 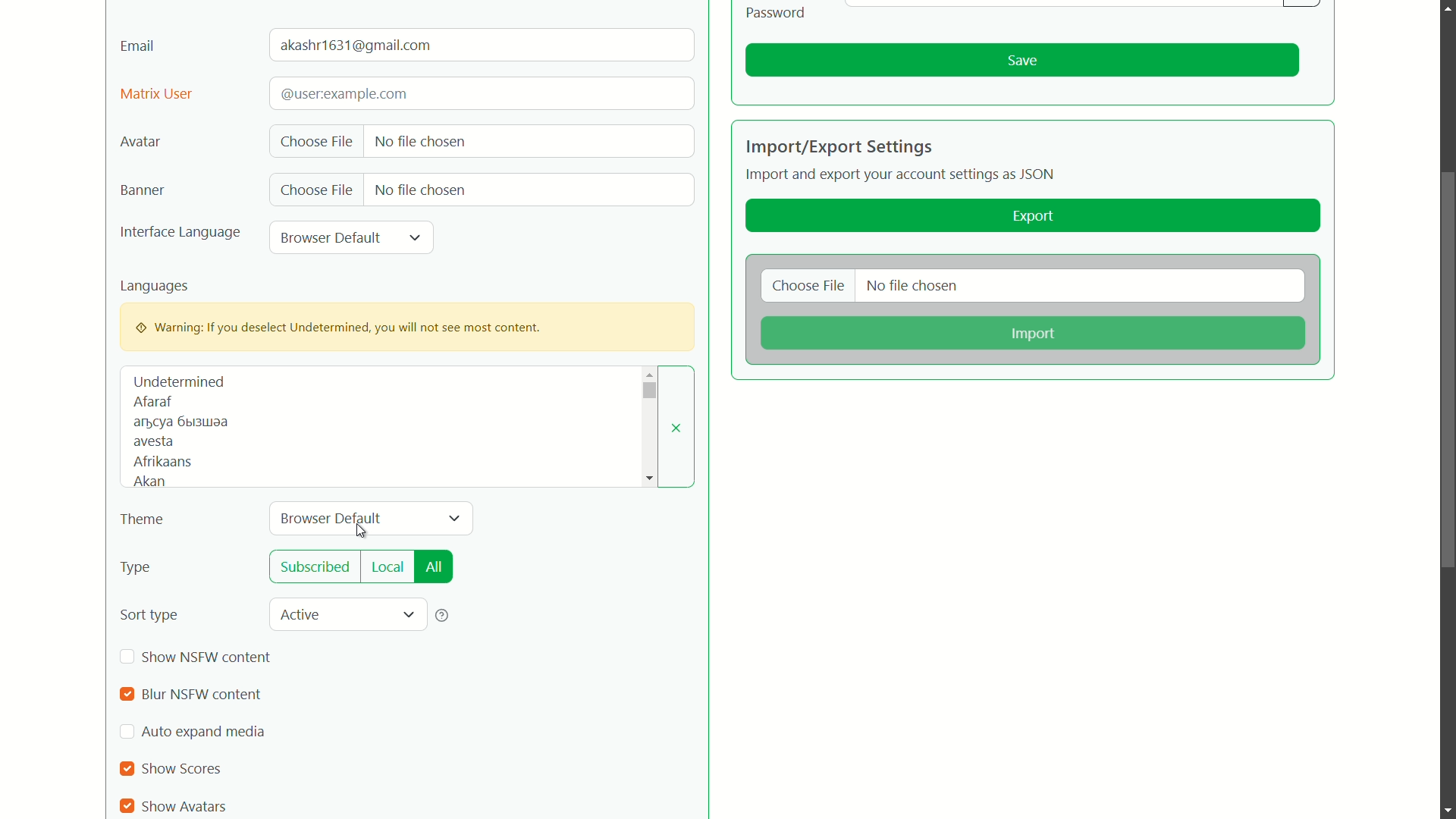 I want to click on warning pop, so click(x=407, y=326).